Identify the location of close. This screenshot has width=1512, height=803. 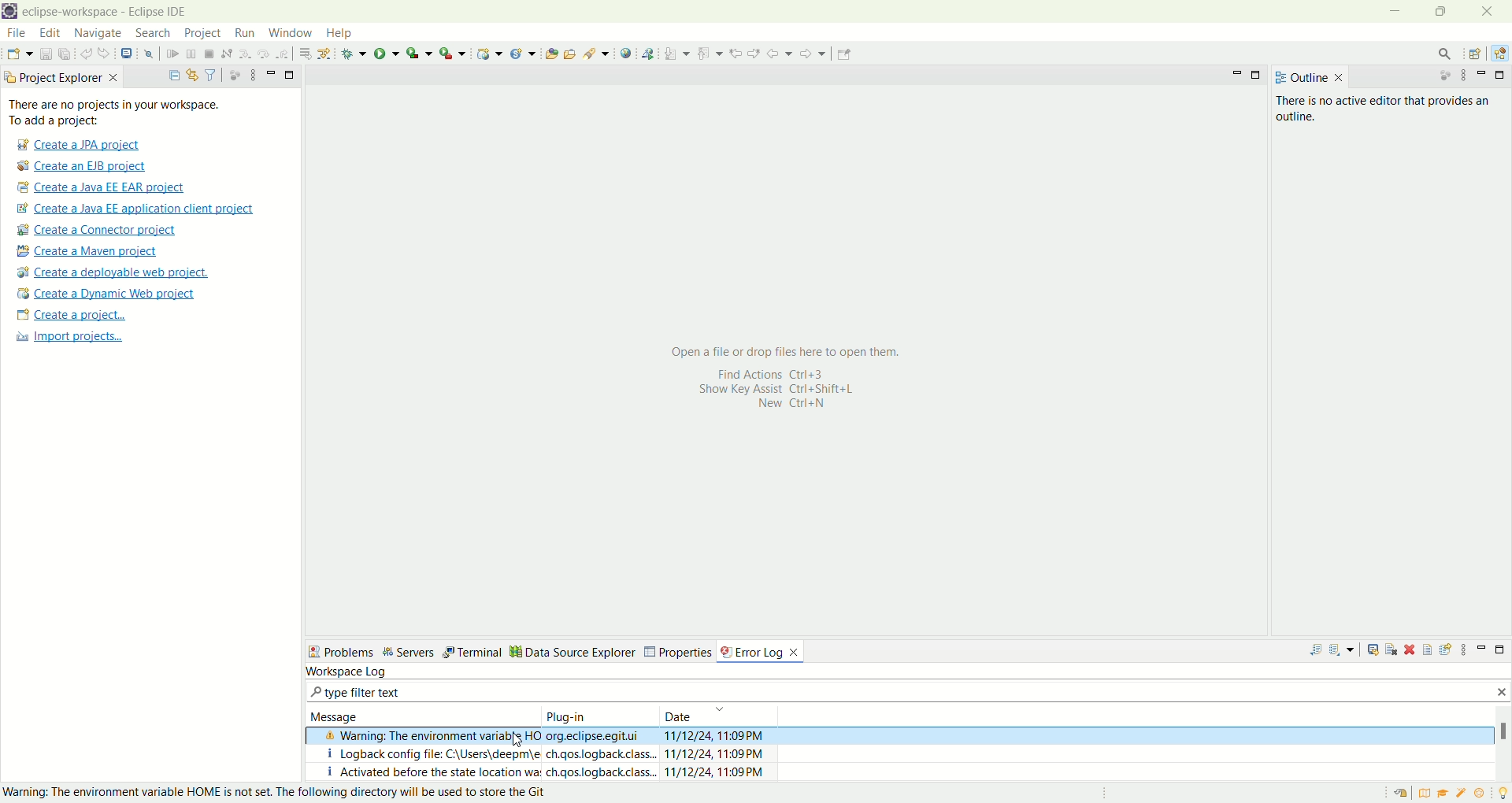
(1492, 12).